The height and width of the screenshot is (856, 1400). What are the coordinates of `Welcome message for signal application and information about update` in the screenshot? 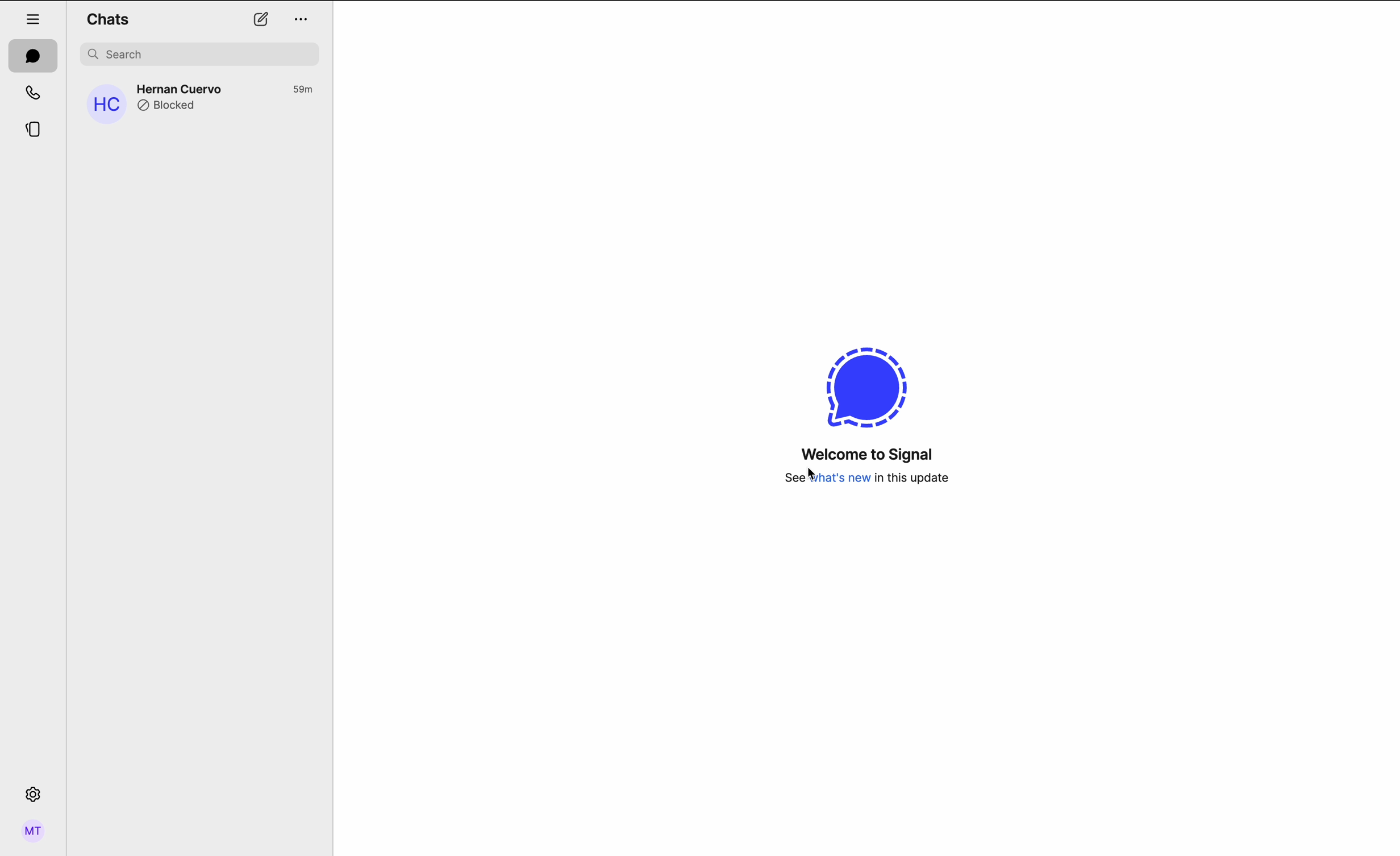 It's located at (865, 419).